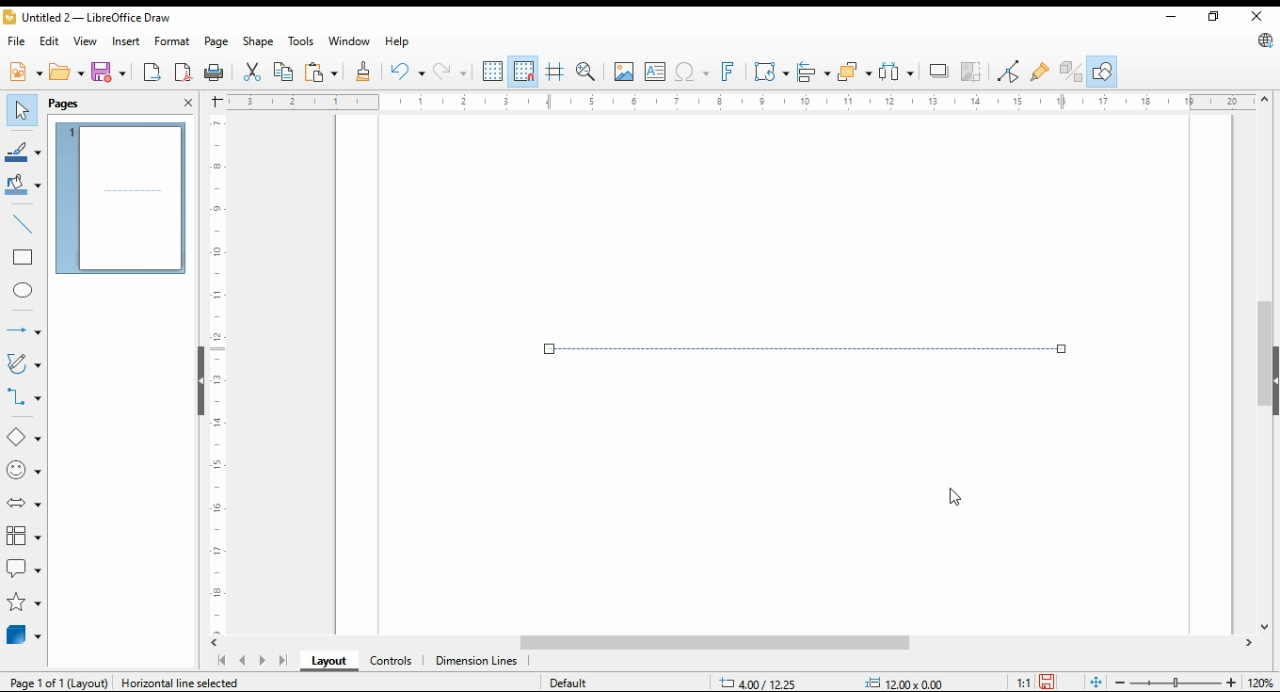 The image size is (1280, 692). What do you see at coordinates (153, 71) in the screenshot?
I see `export` at bounding box center [153, 71].